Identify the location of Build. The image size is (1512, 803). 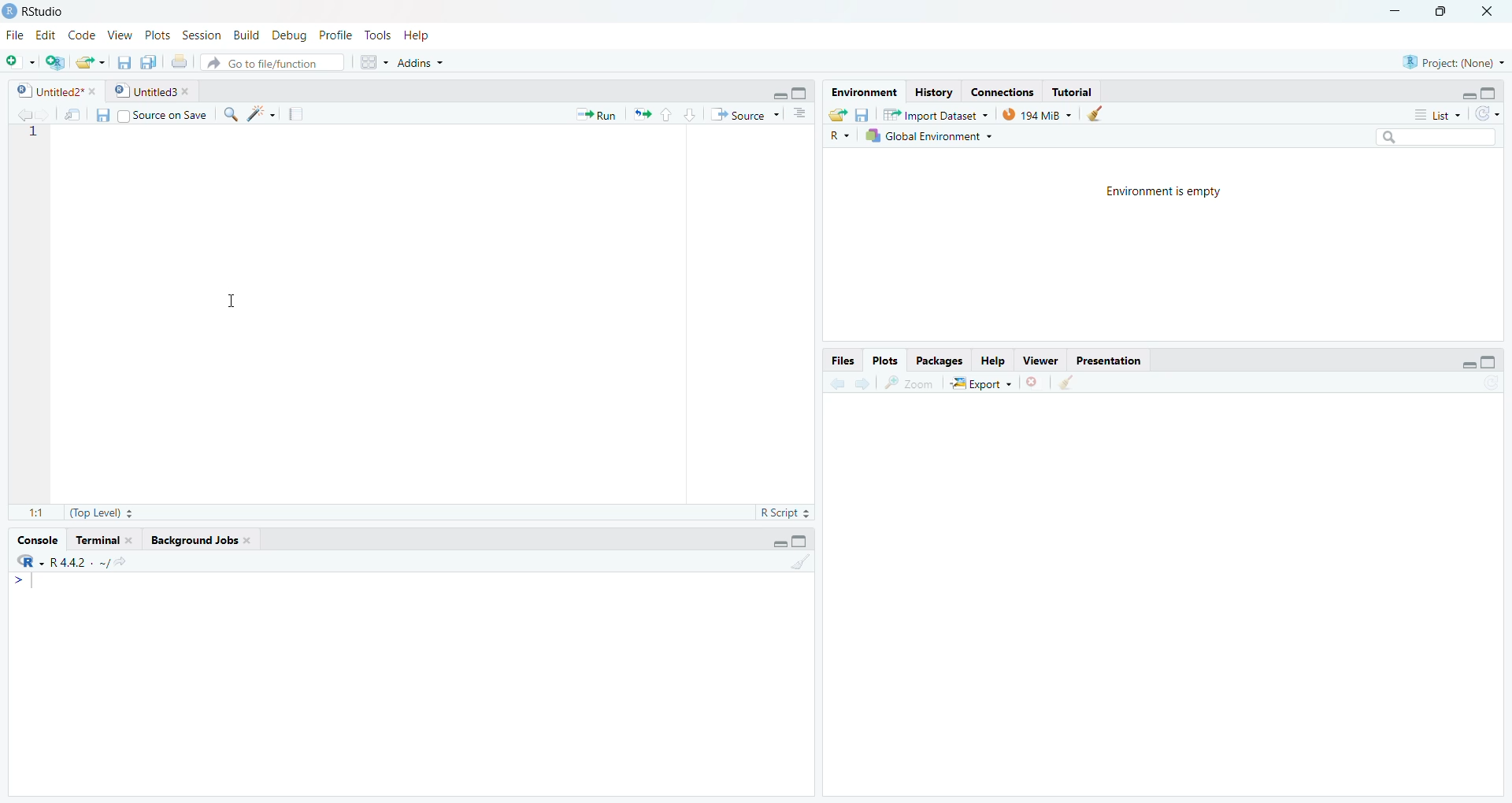
(244, 35).